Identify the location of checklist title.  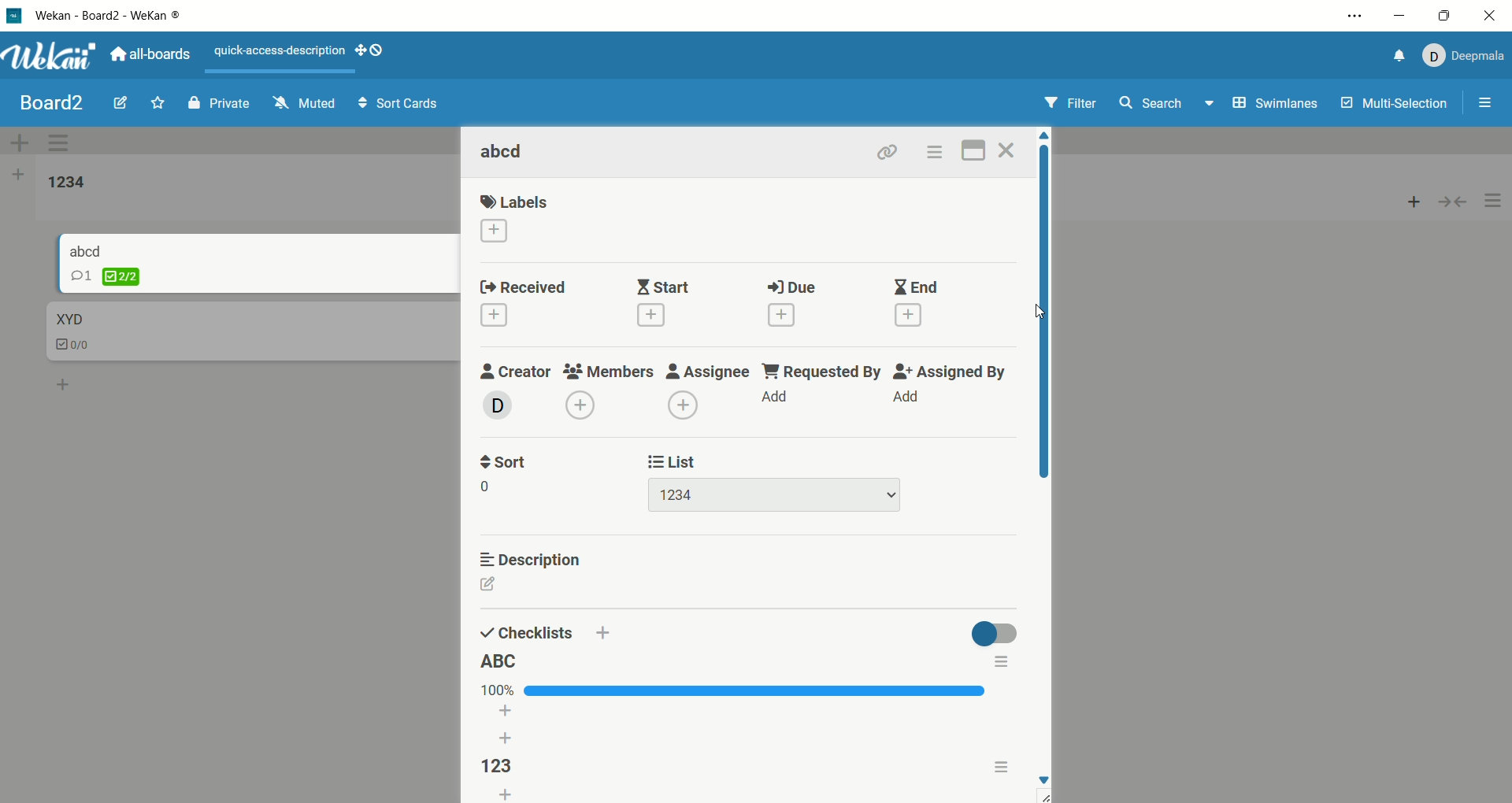
(495, 766).